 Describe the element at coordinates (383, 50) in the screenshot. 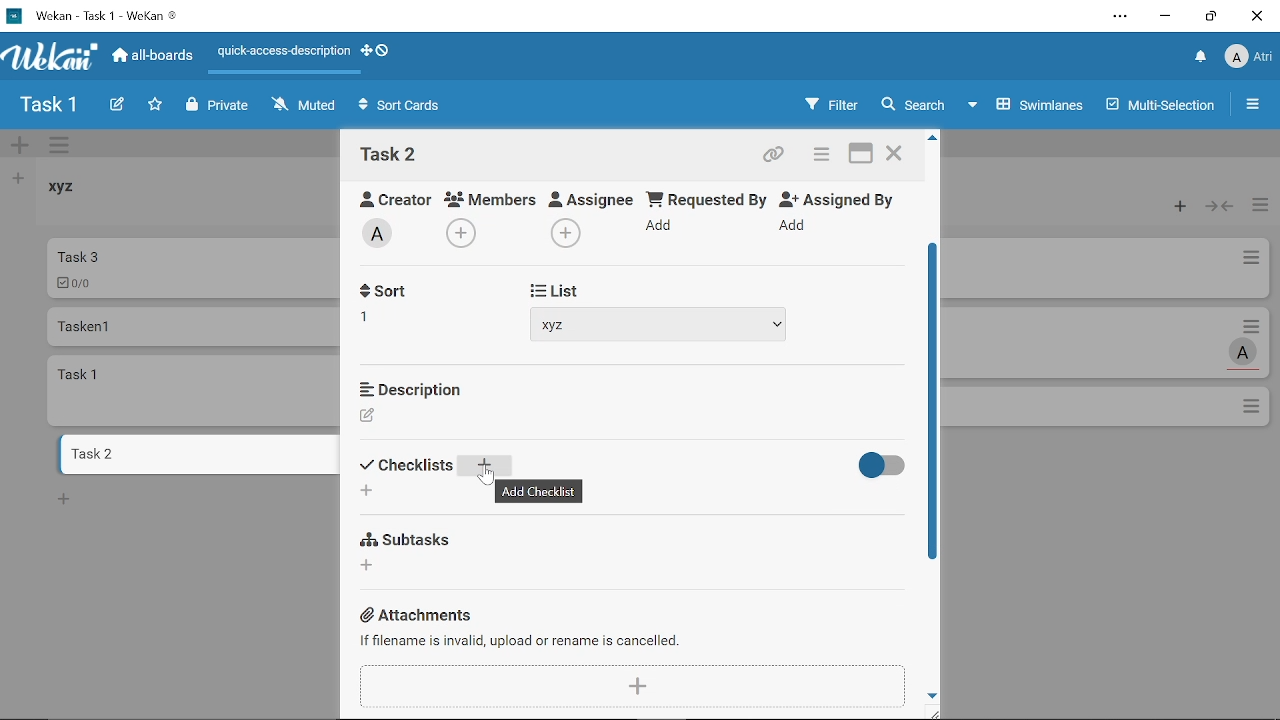

I see `Show desktop drag handlws` at that location.